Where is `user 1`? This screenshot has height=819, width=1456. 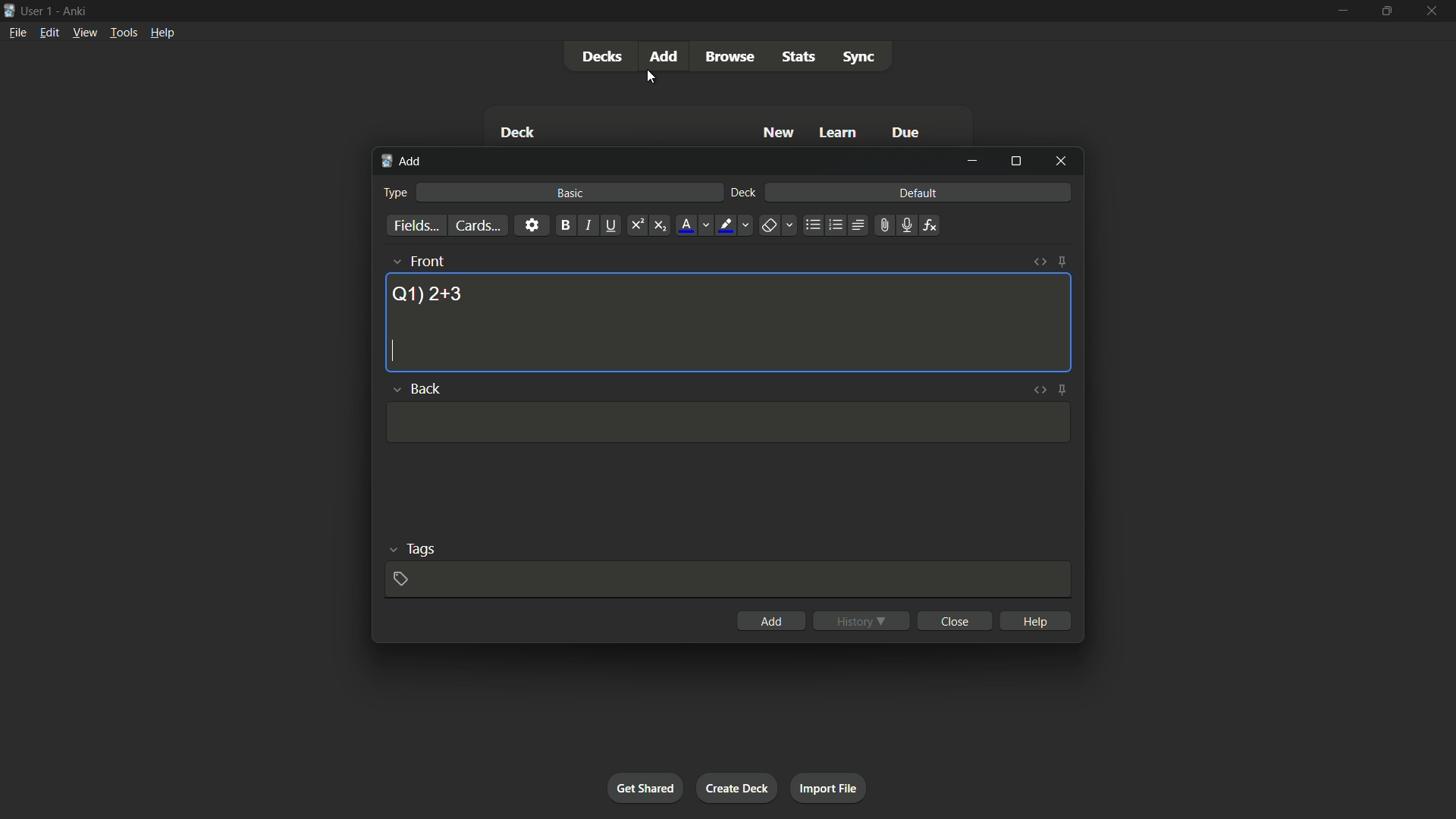
user 1 is located at coordinates (37, 8).